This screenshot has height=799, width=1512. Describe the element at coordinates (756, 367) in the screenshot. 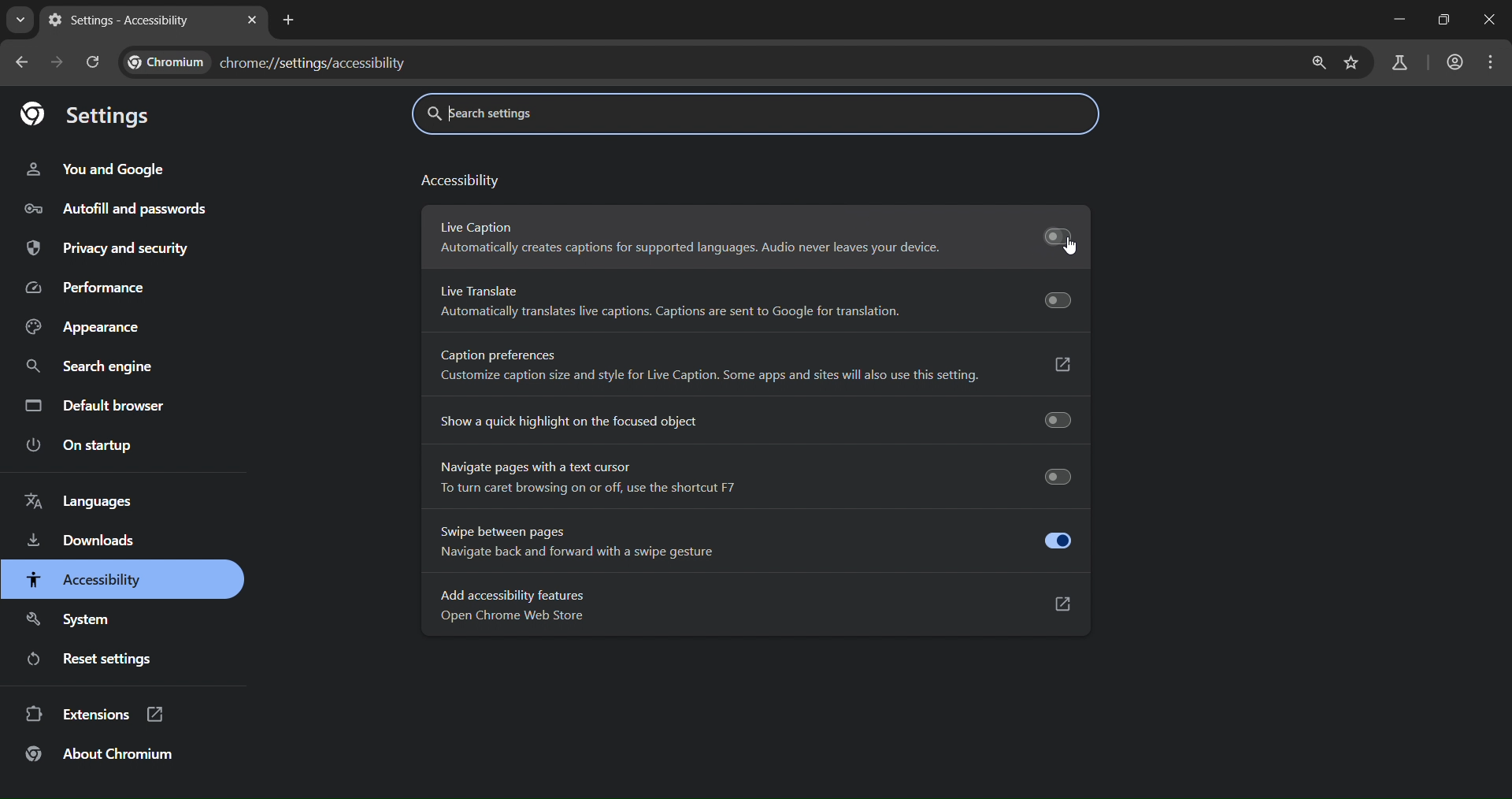

I see `Caption preferences
Customize caption size and style for Live Caption. Some apps and sites will also use this setting.` at that location.